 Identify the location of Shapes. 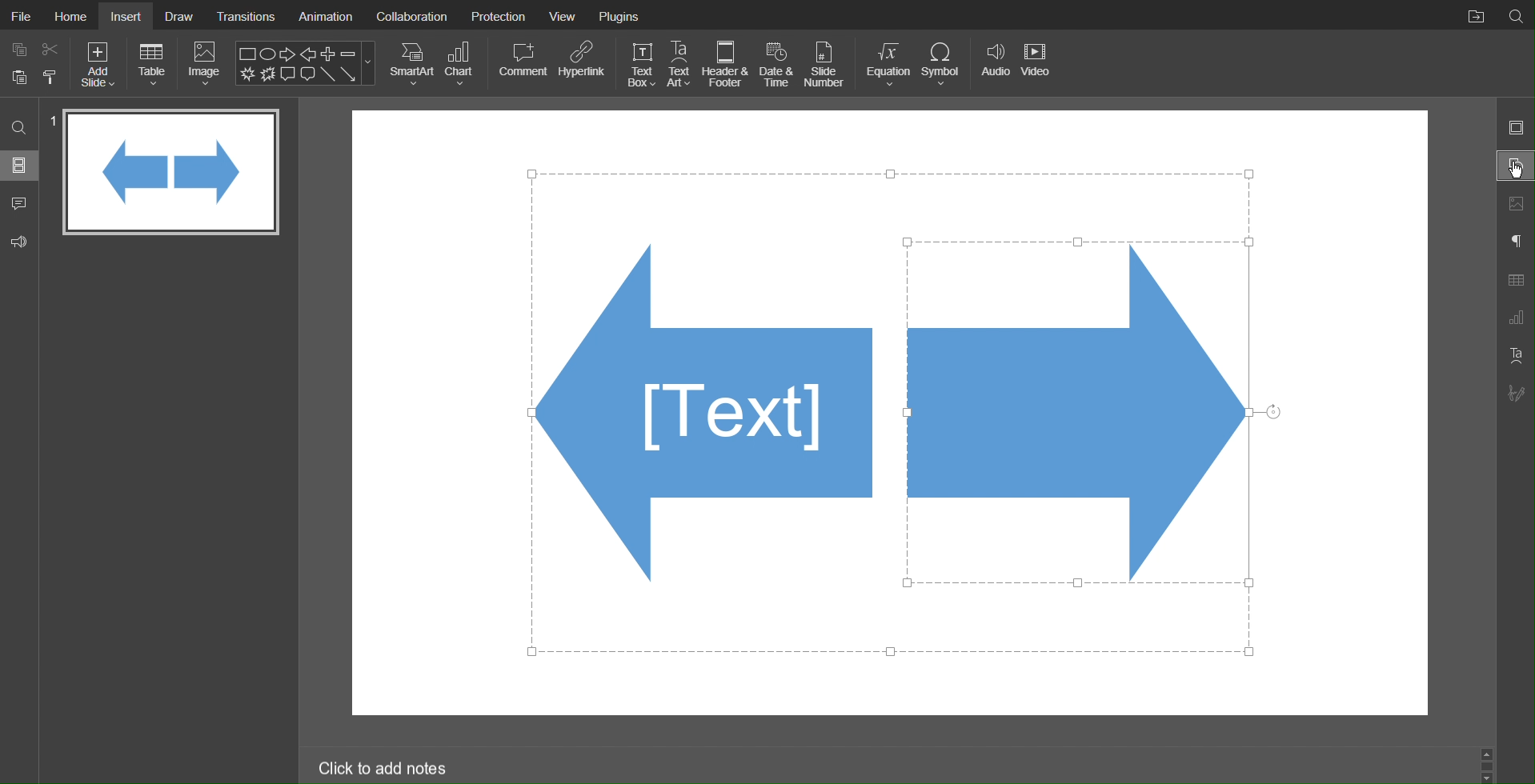
(698, 411).